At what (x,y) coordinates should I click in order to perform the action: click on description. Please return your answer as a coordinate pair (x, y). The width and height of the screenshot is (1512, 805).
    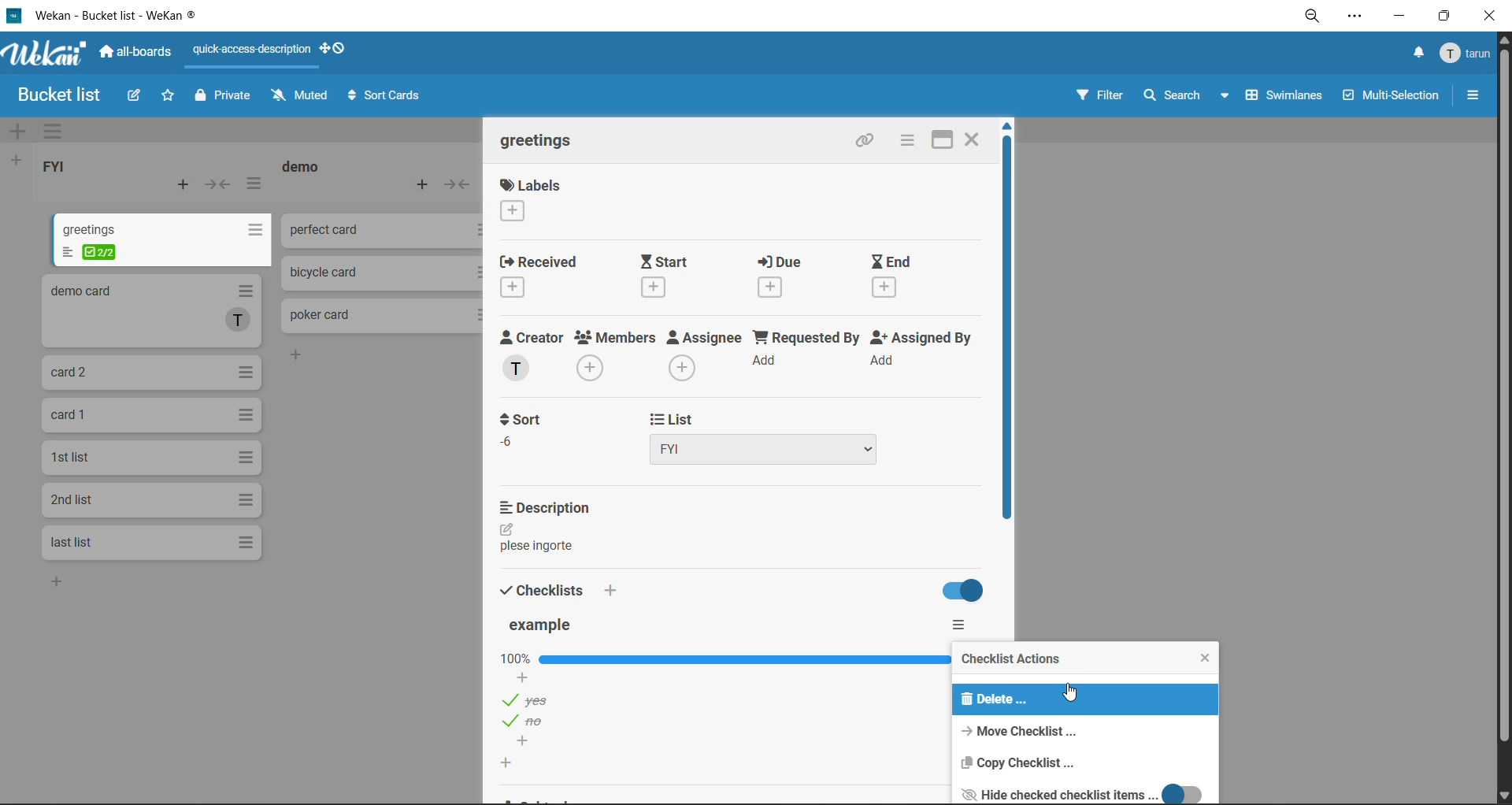
    Looking at the image, I should click on (550, 506).